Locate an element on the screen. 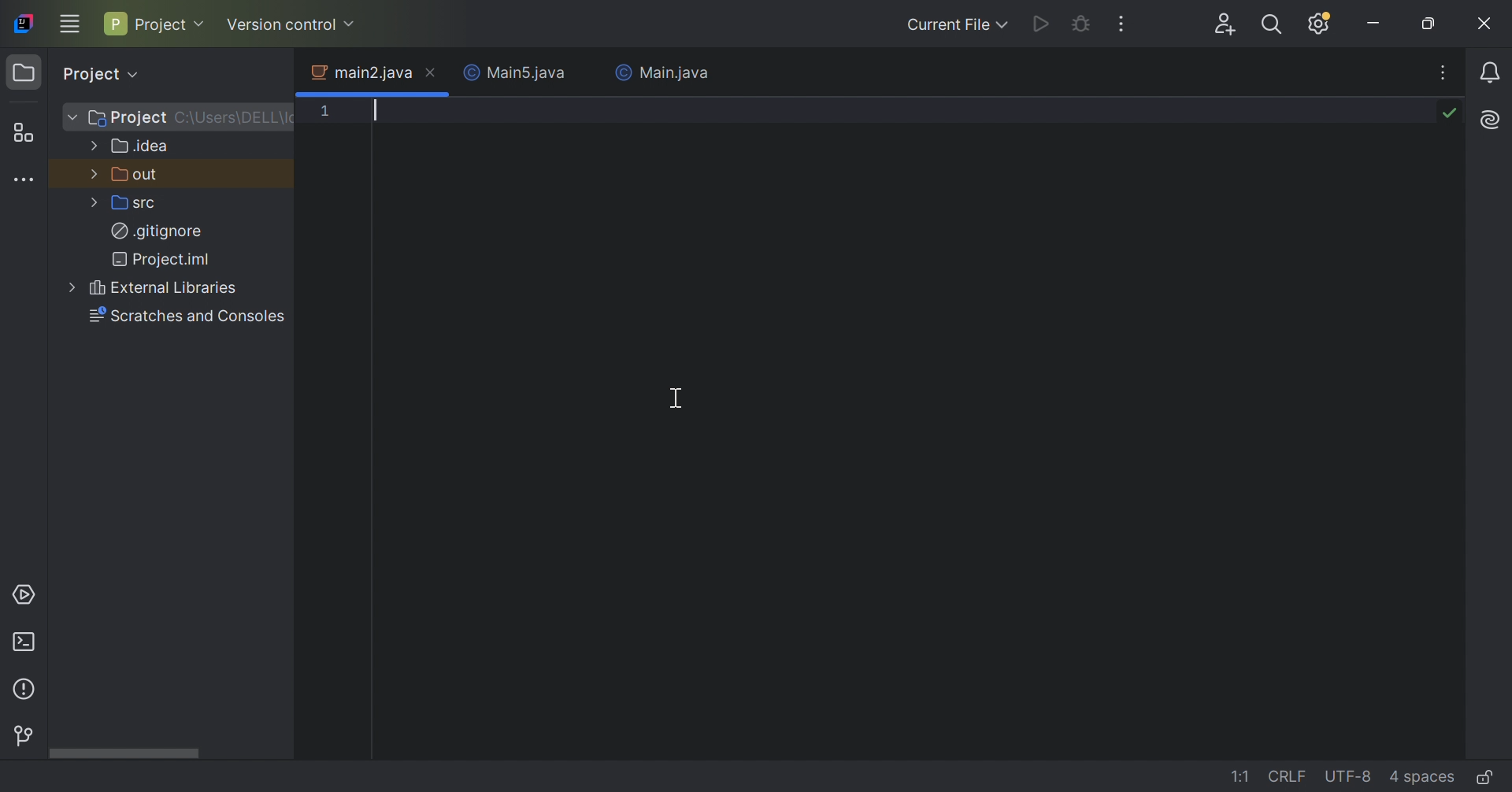 This screenshot has height=792, width=1512. Project icon is located at coordinates (24, 72).